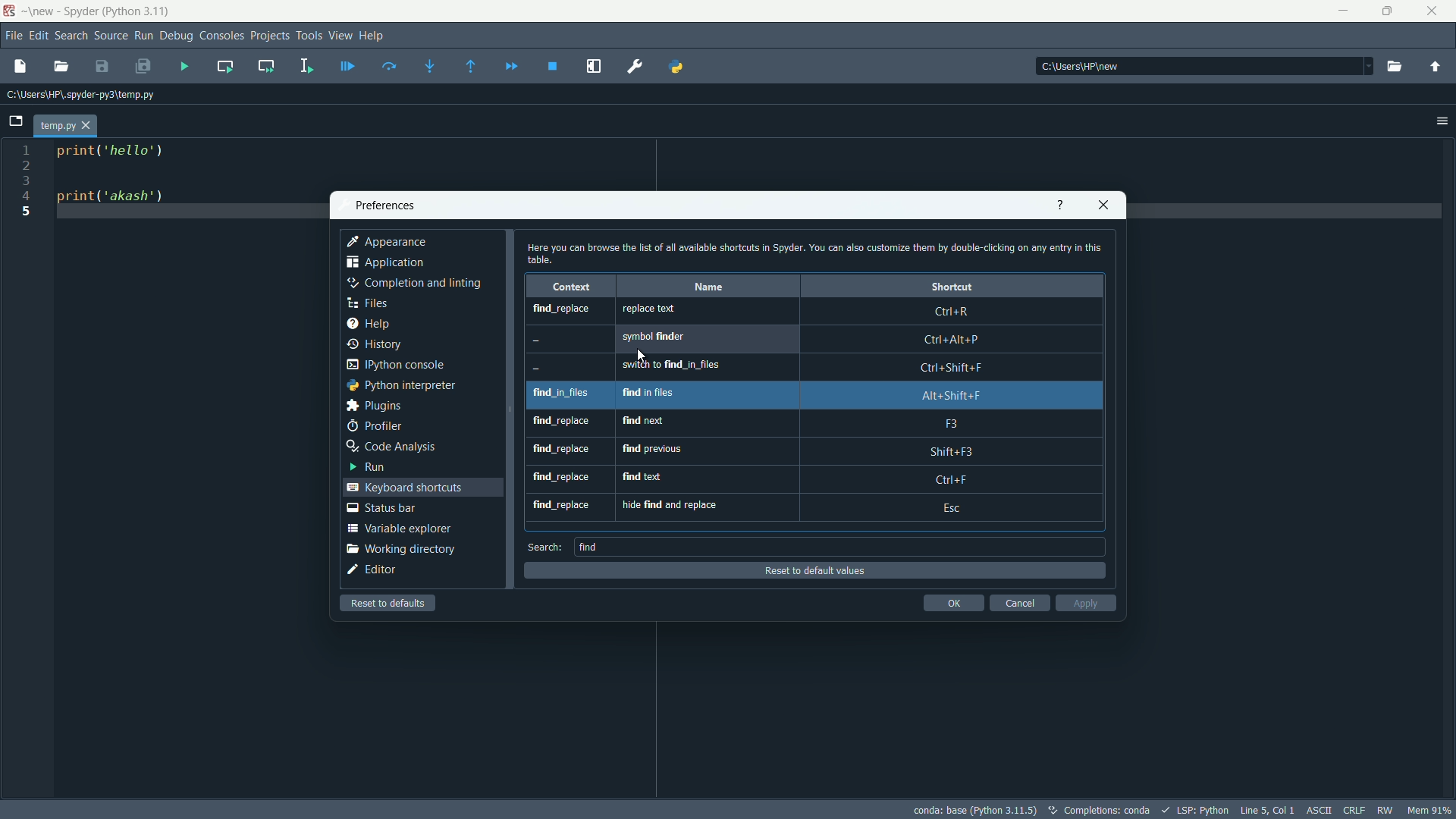 This screenshot has height=819, width=1456. What do you see at coordinates (1197, 811) in the screenshot?
I see `LSP : Python` at bounding box center [1197, 811].